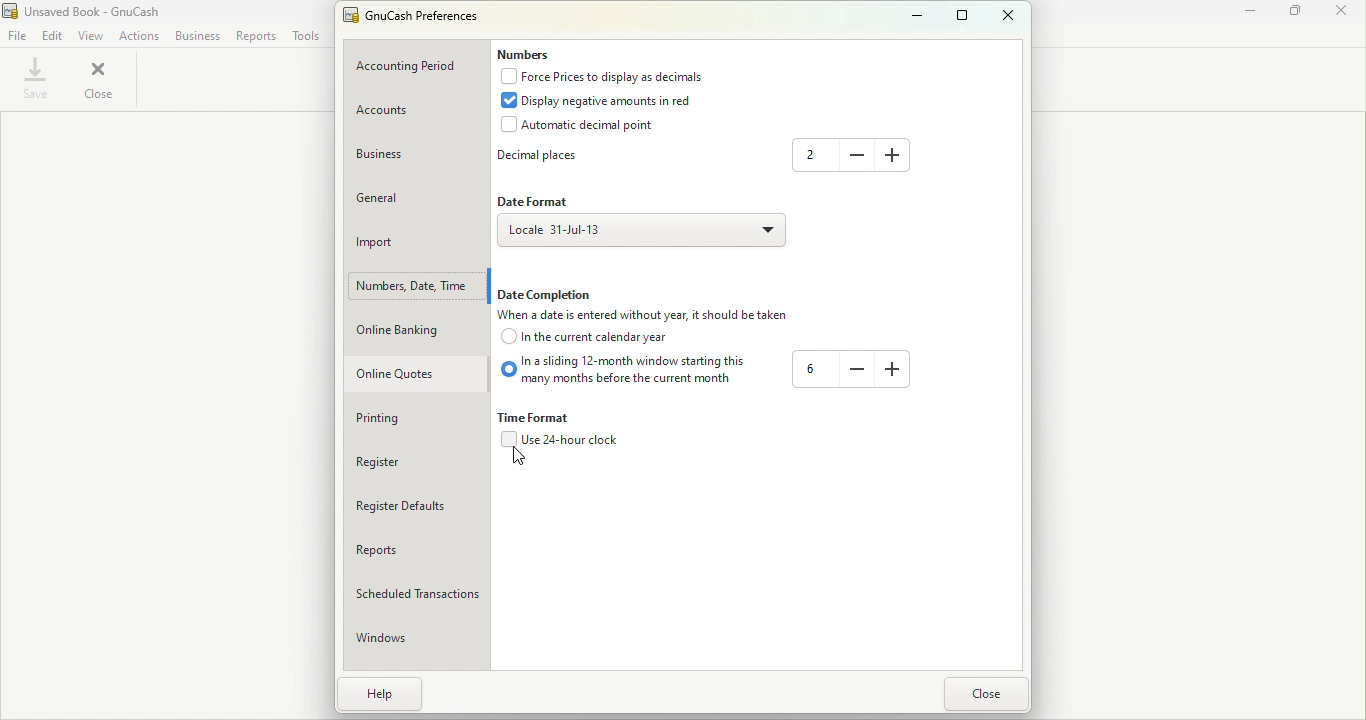 The image size is (1366, 720). What do you see at coordinates (420, 592) in the screenshot?
I see `Scheduled transactions` at bounding box center [420, 592].